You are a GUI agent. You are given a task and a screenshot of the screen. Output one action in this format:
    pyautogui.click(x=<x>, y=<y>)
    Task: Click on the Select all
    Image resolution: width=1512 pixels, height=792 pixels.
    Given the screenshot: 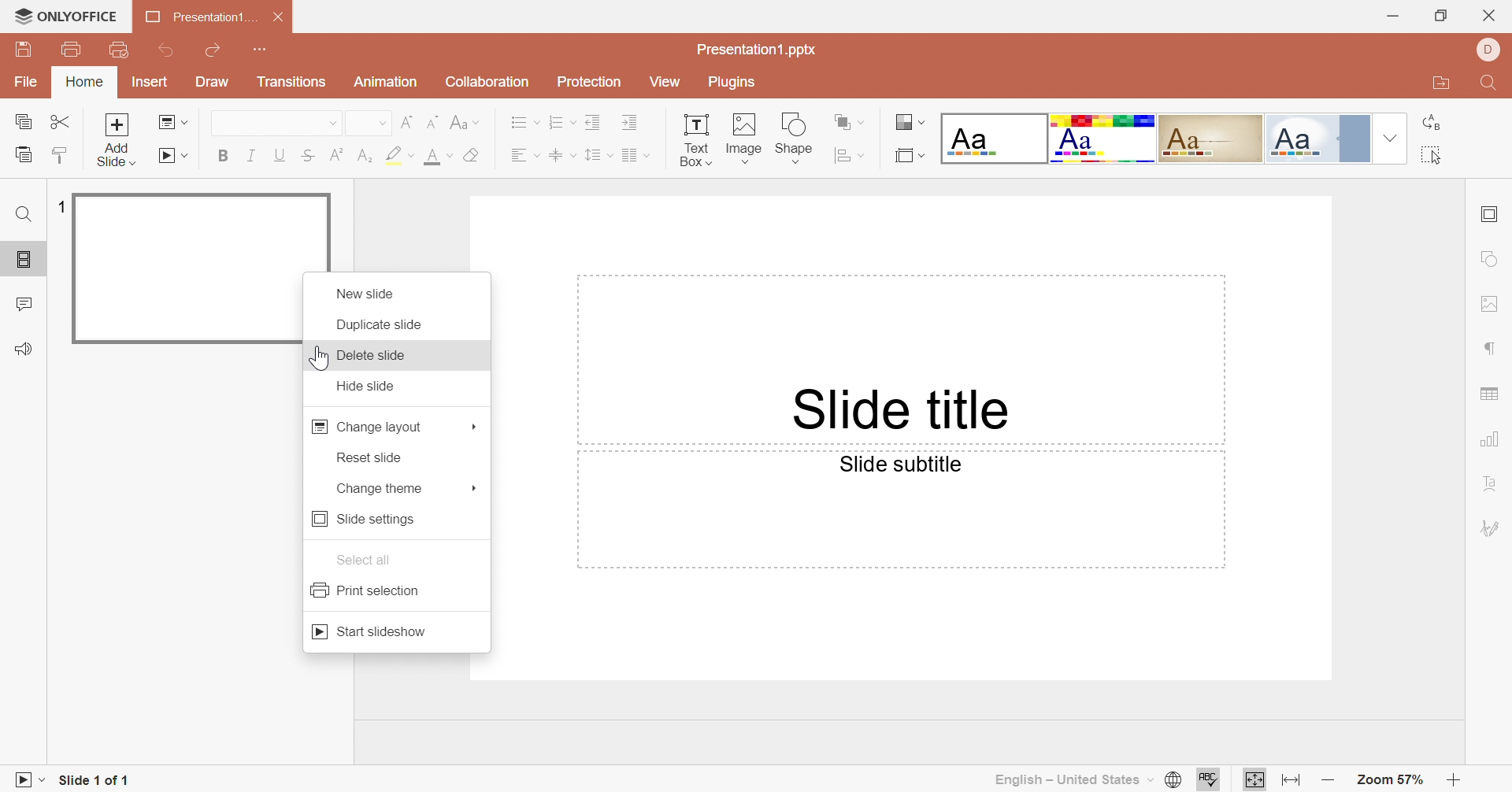 What is the action you would take?
    pyautogui.click(x=1431, y=155)
    